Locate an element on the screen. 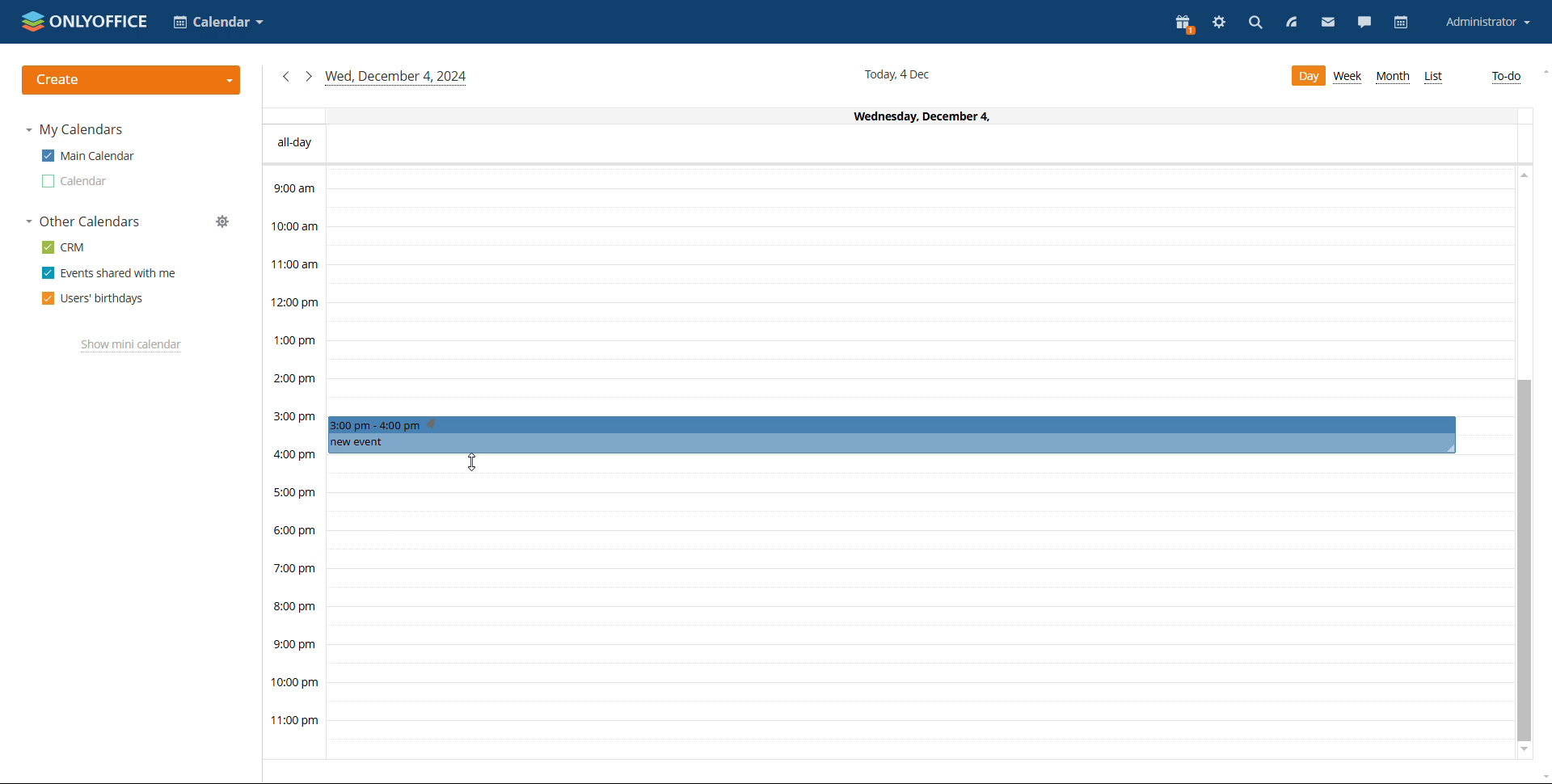 This screenshot has height=784, width=1552. search is located at coordinates (1255, 25).